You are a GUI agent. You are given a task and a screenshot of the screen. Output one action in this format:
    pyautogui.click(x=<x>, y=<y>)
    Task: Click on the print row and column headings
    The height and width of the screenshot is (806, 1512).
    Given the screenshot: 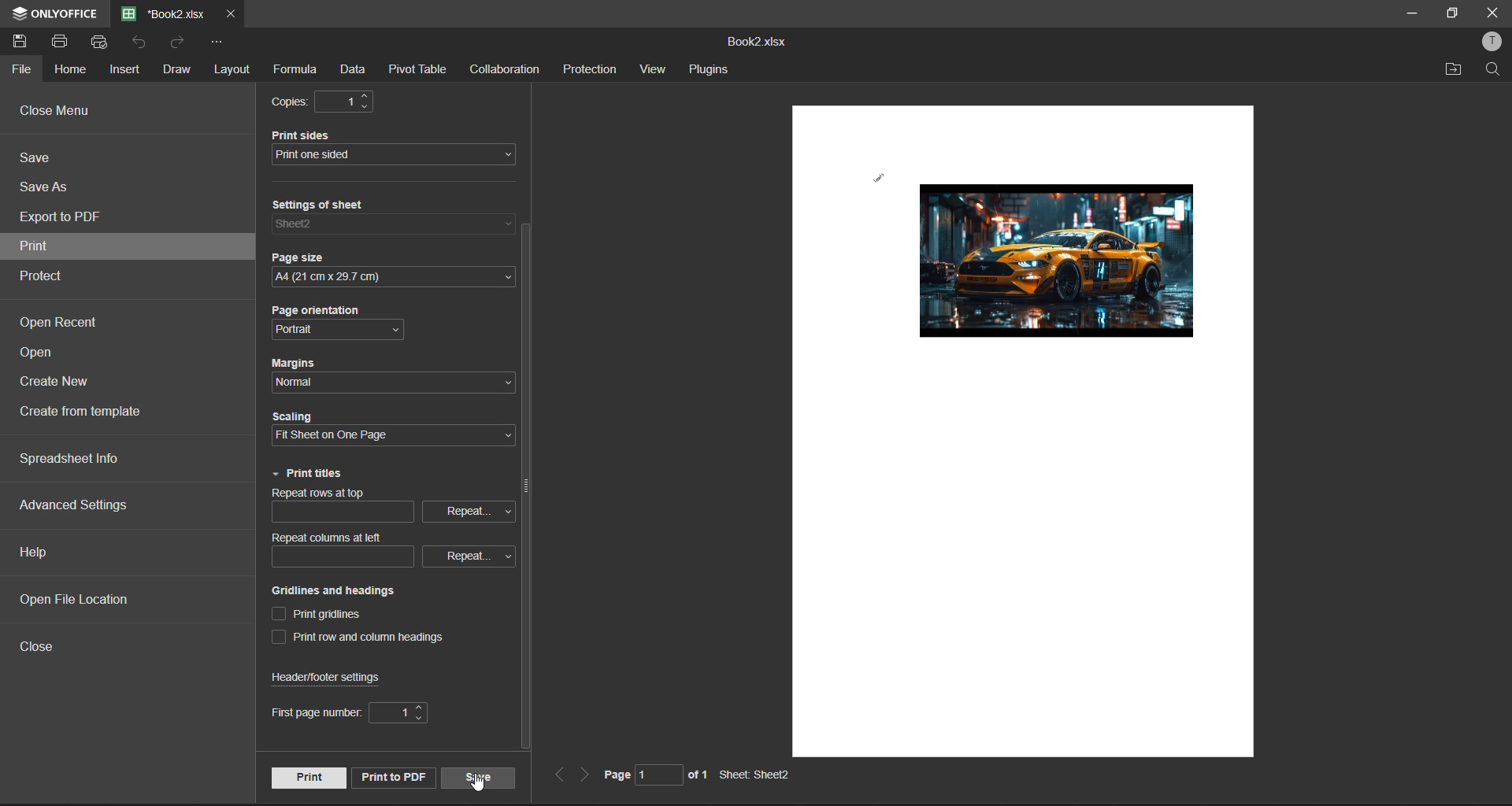 What is the action you would take?
    pyautogui.click(x=366, y=639)
    